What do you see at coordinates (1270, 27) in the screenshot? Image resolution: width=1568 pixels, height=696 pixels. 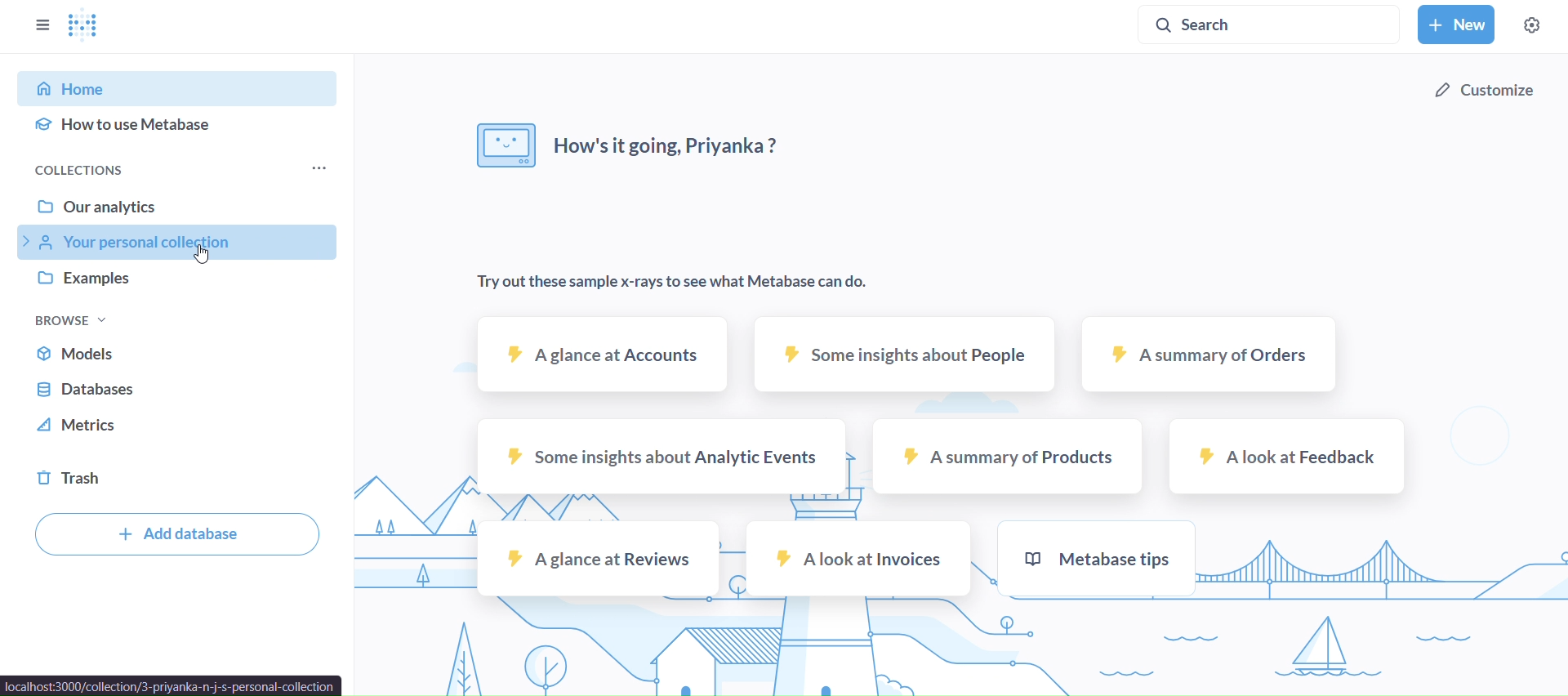 I see `search ` at bounding box center [1270, 27].